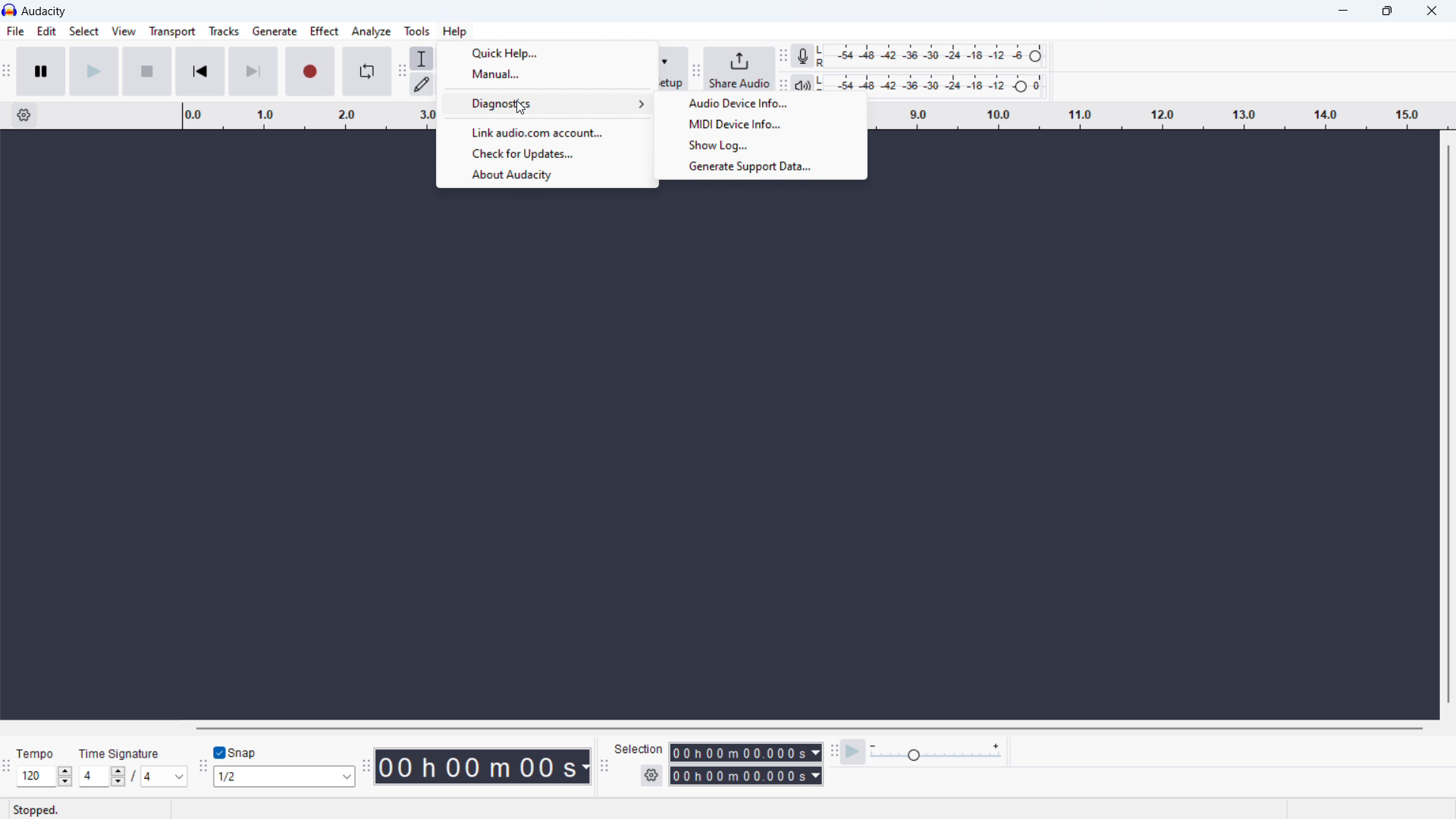 The height and width of the screenshot is (819, 1456). Describe the element at coordinates (760, 145) in the screenshot. I see `show log` at that location.